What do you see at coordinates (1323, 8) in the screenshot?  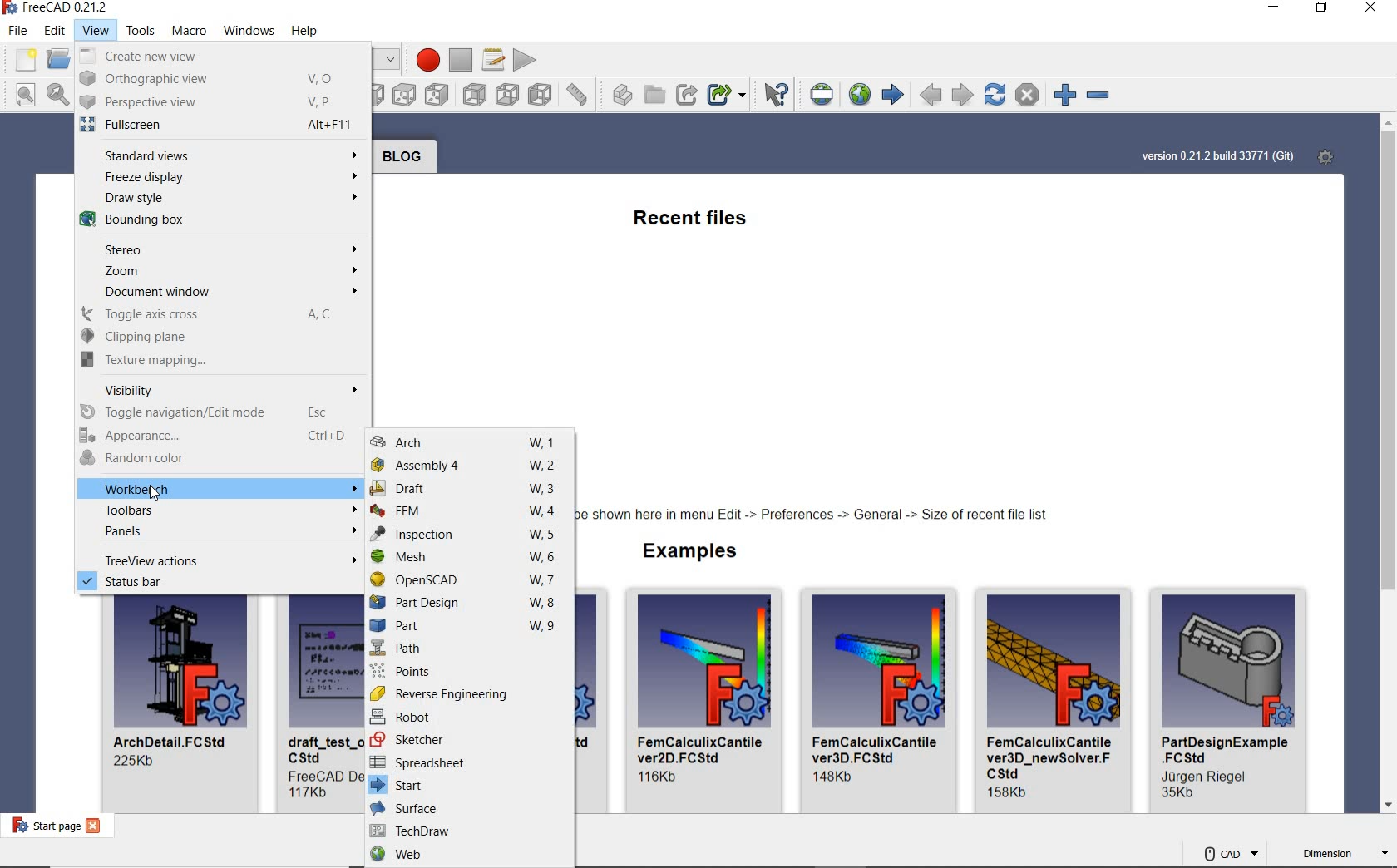 I see `restore down` at bounding box center [1323, 8].